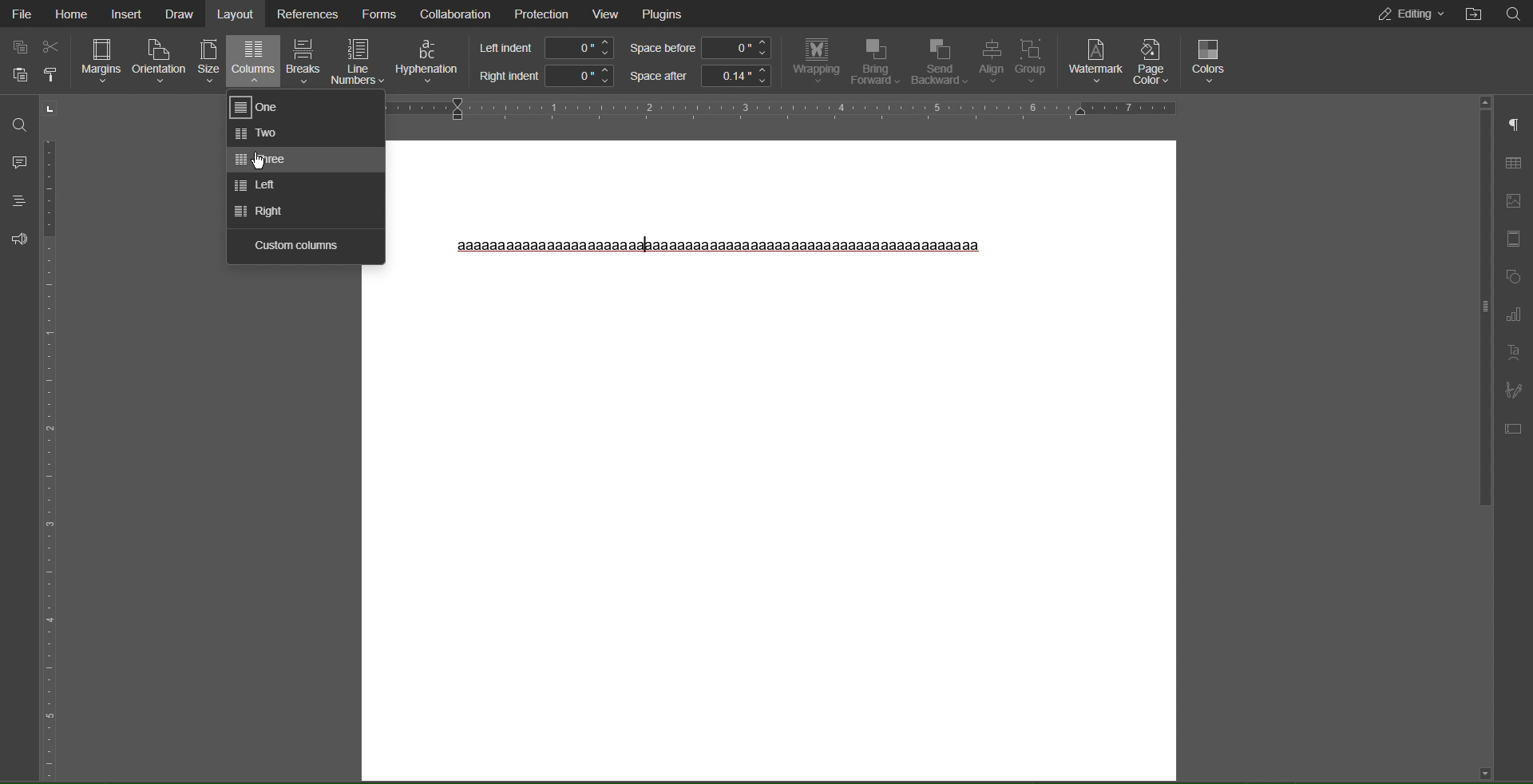 The image size is (1533, 784). Describe the element at coordinates (210, 62) in the screenshot. I see `Size` at that location.